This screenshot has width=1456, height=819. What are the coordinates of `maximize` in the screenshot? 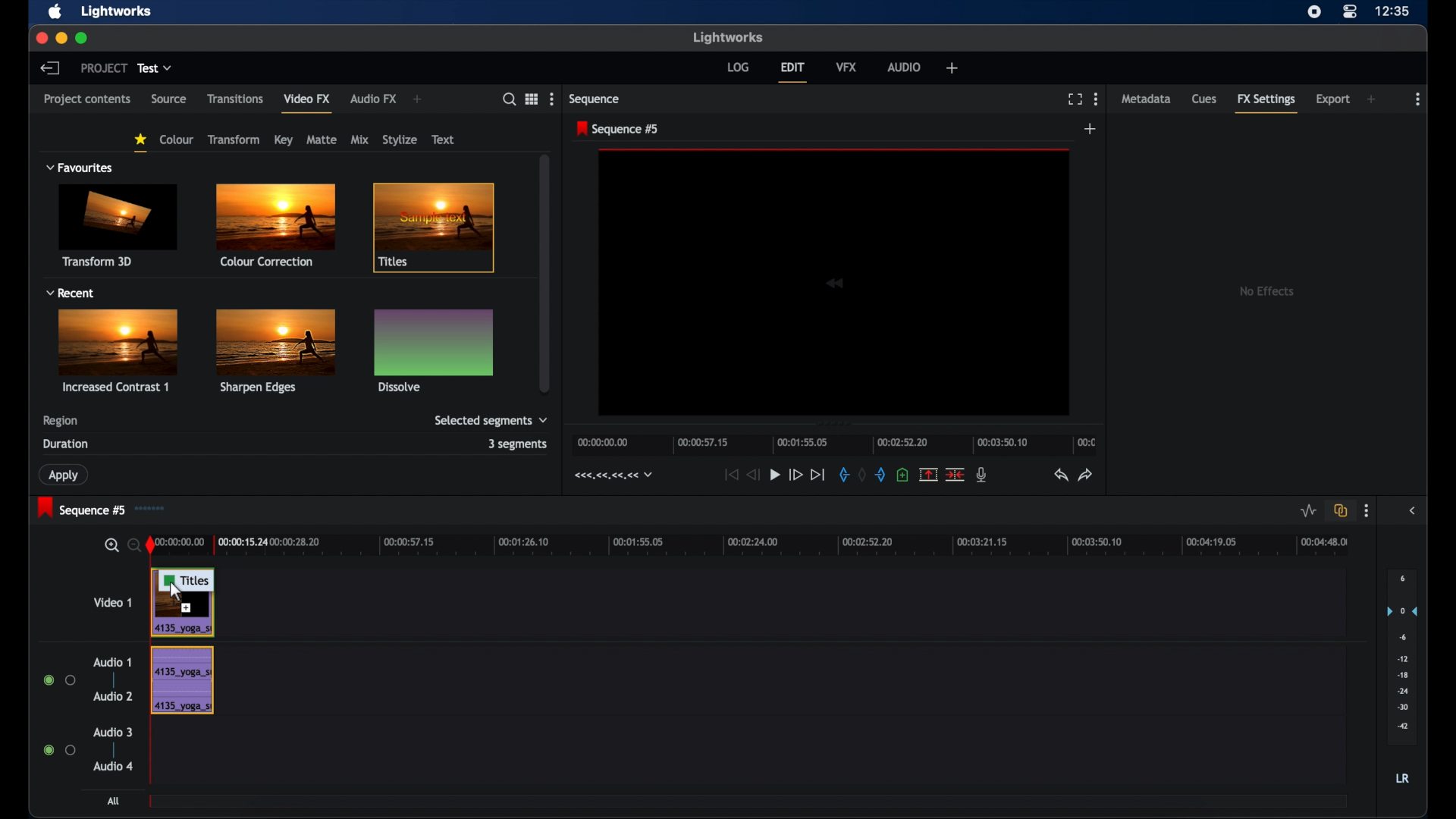 It's located at (83, 39).